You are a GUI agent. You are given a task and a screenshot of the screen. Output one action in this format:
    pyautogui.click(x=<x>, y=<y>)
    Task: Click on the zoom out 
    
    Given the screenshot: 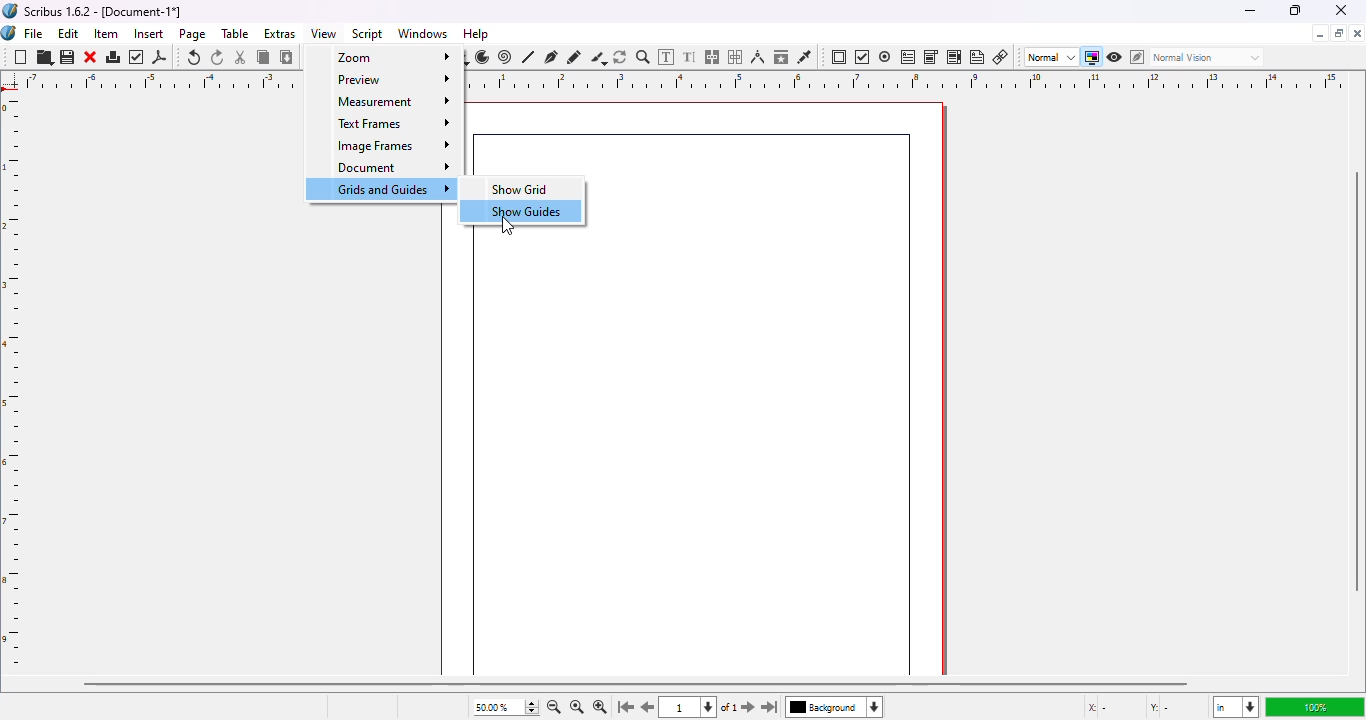 What is the action you would take?
    pyautogui.click(x=553, y=707)
    